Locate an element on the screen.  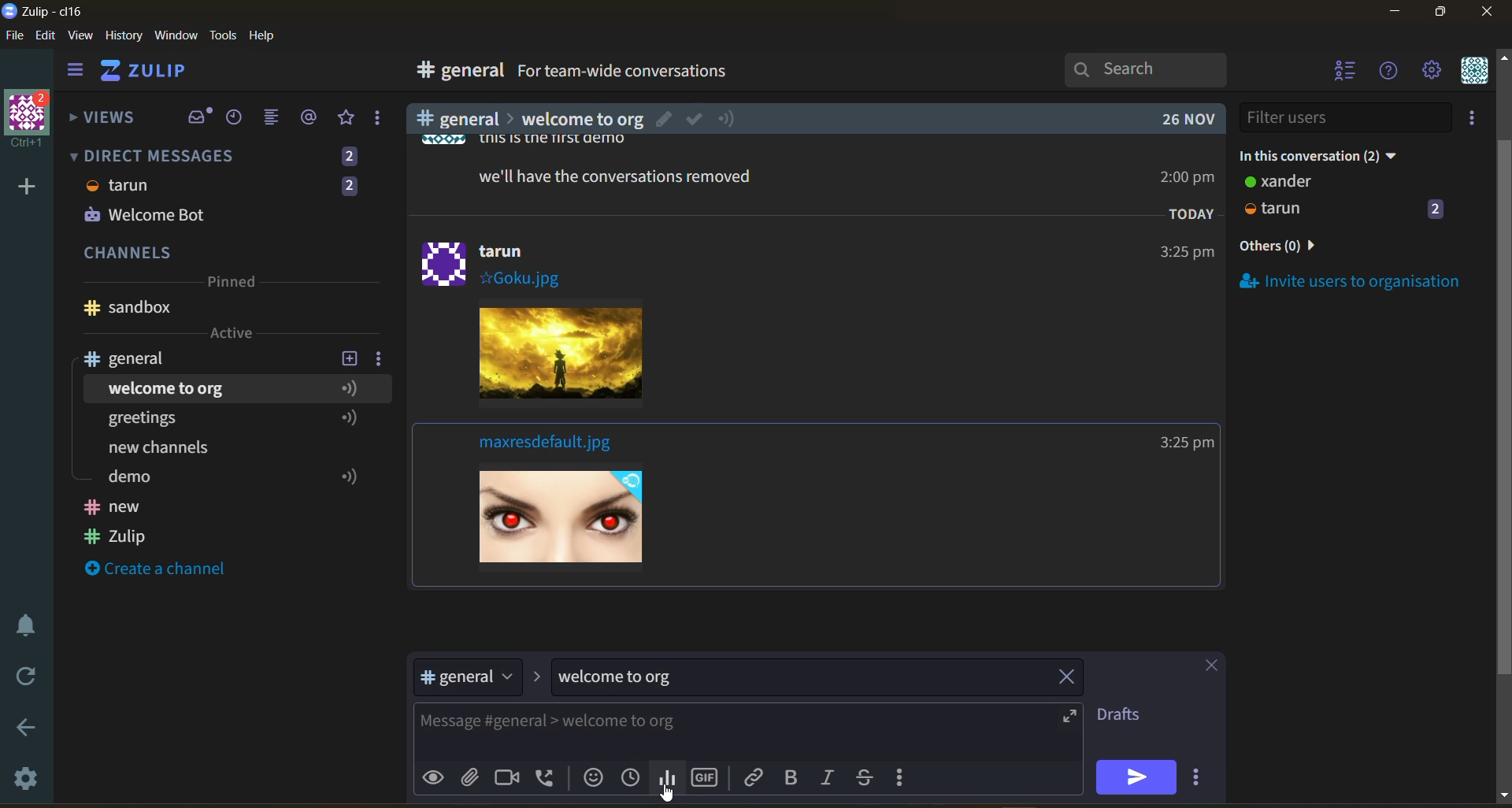
stream/channel is located at coordinates (466, 676).